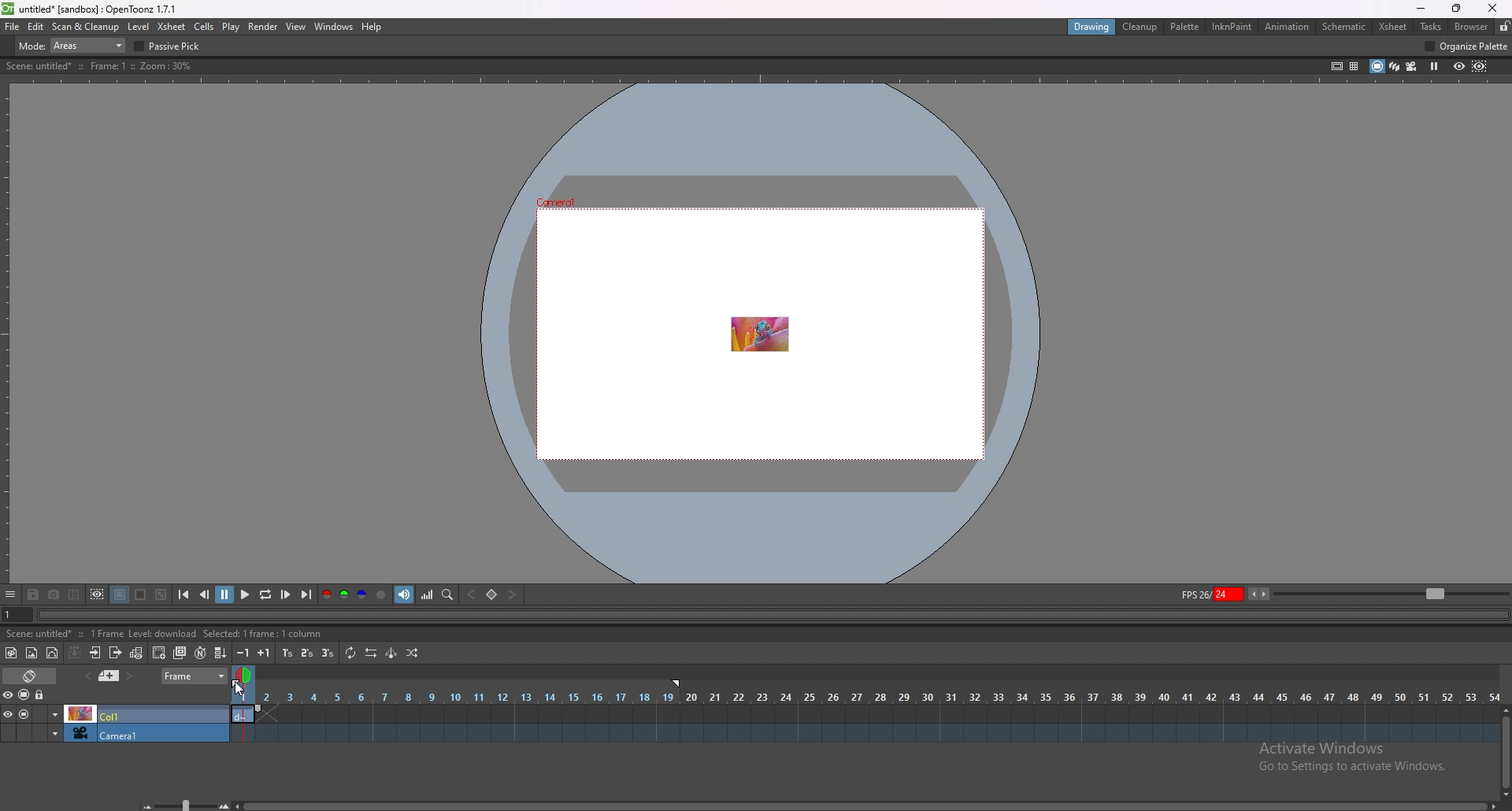  I want to click on inknpaint, so click(1232, 26).